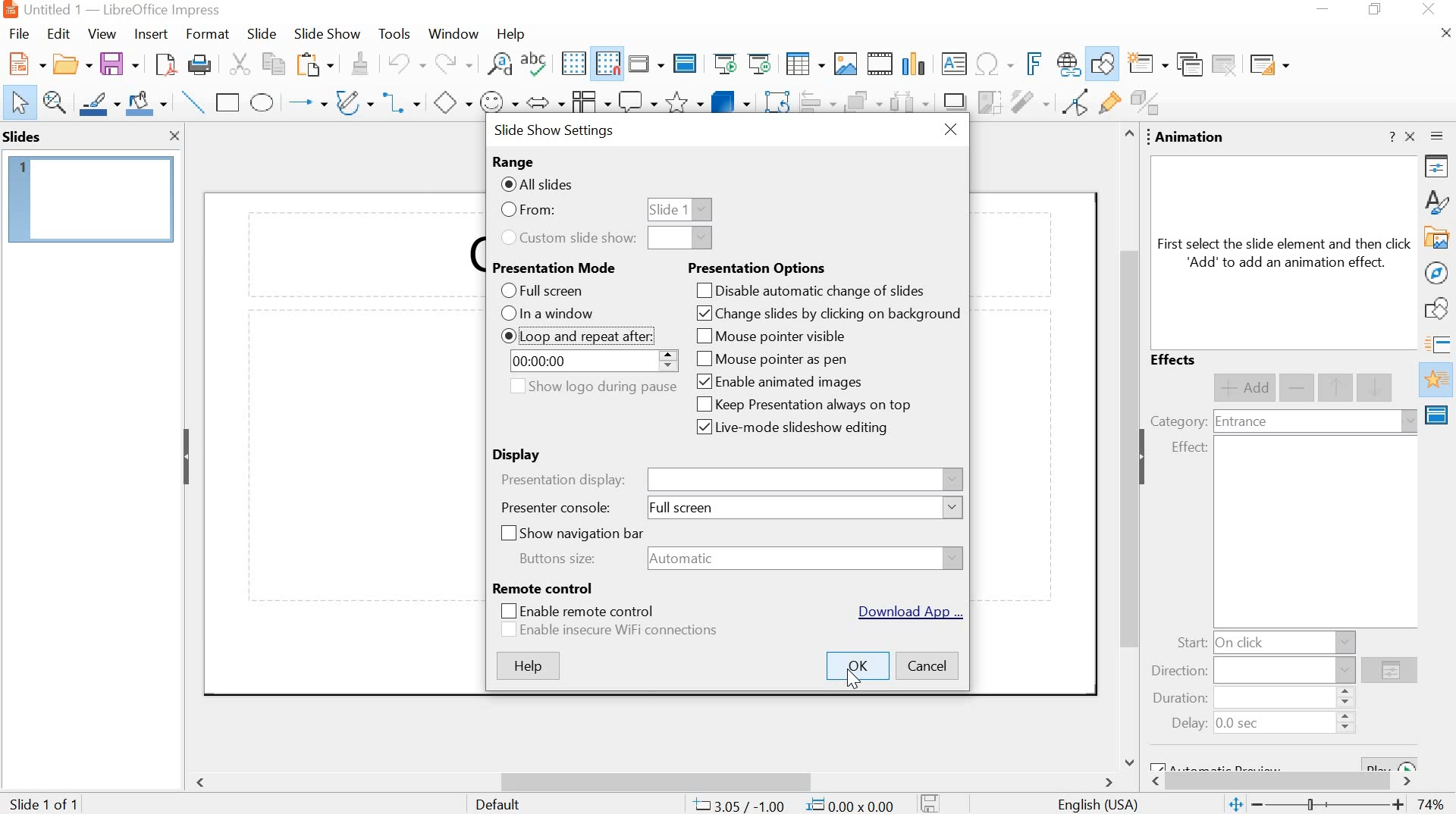  What do you see at coordinates (313, 66) in the screenshot?
I see `paste` at bounding box center [313, 66].